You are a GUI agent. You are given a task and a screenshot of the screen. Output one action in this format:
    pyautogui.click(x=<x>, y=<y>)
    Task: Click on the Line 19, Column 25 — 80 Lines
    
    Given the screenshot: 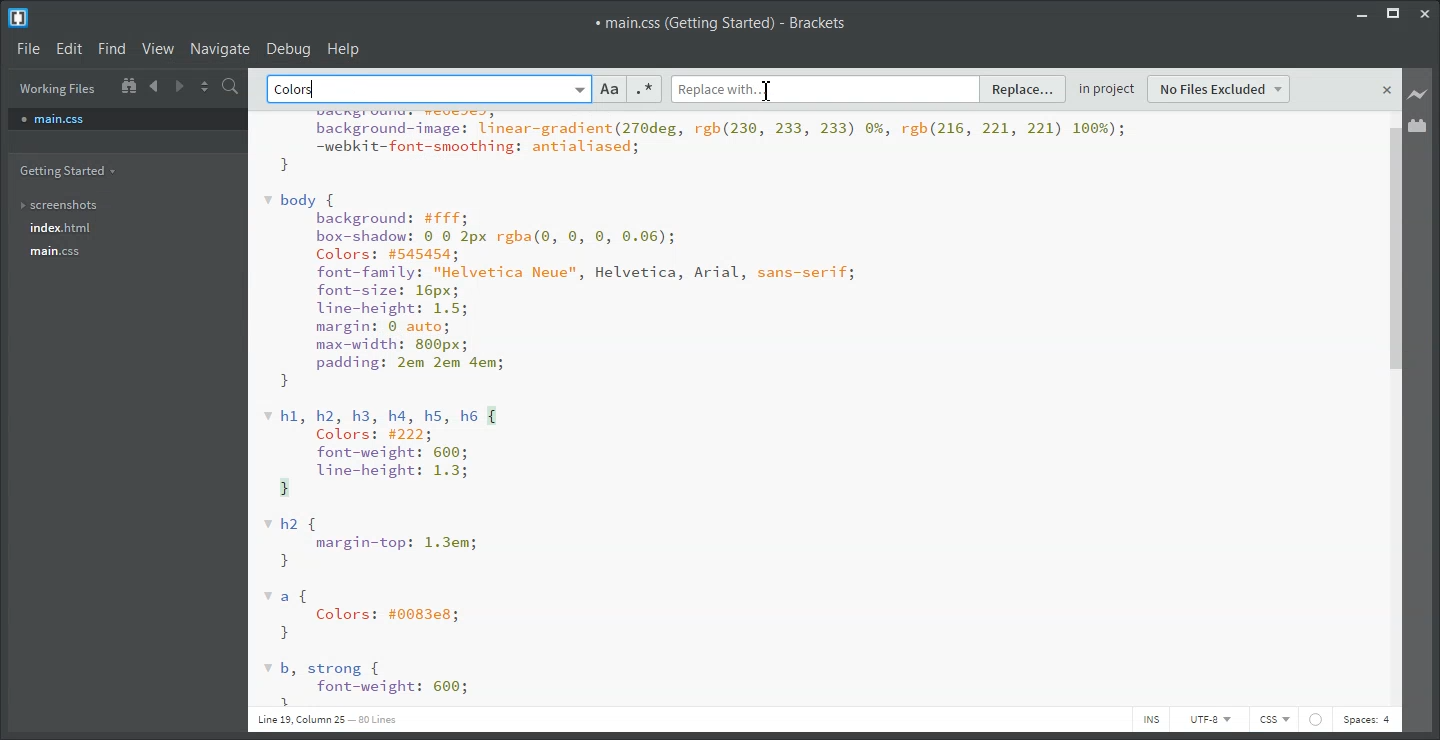 What is the action you would take?
    pyautogui.click(x=326, y=719)
    